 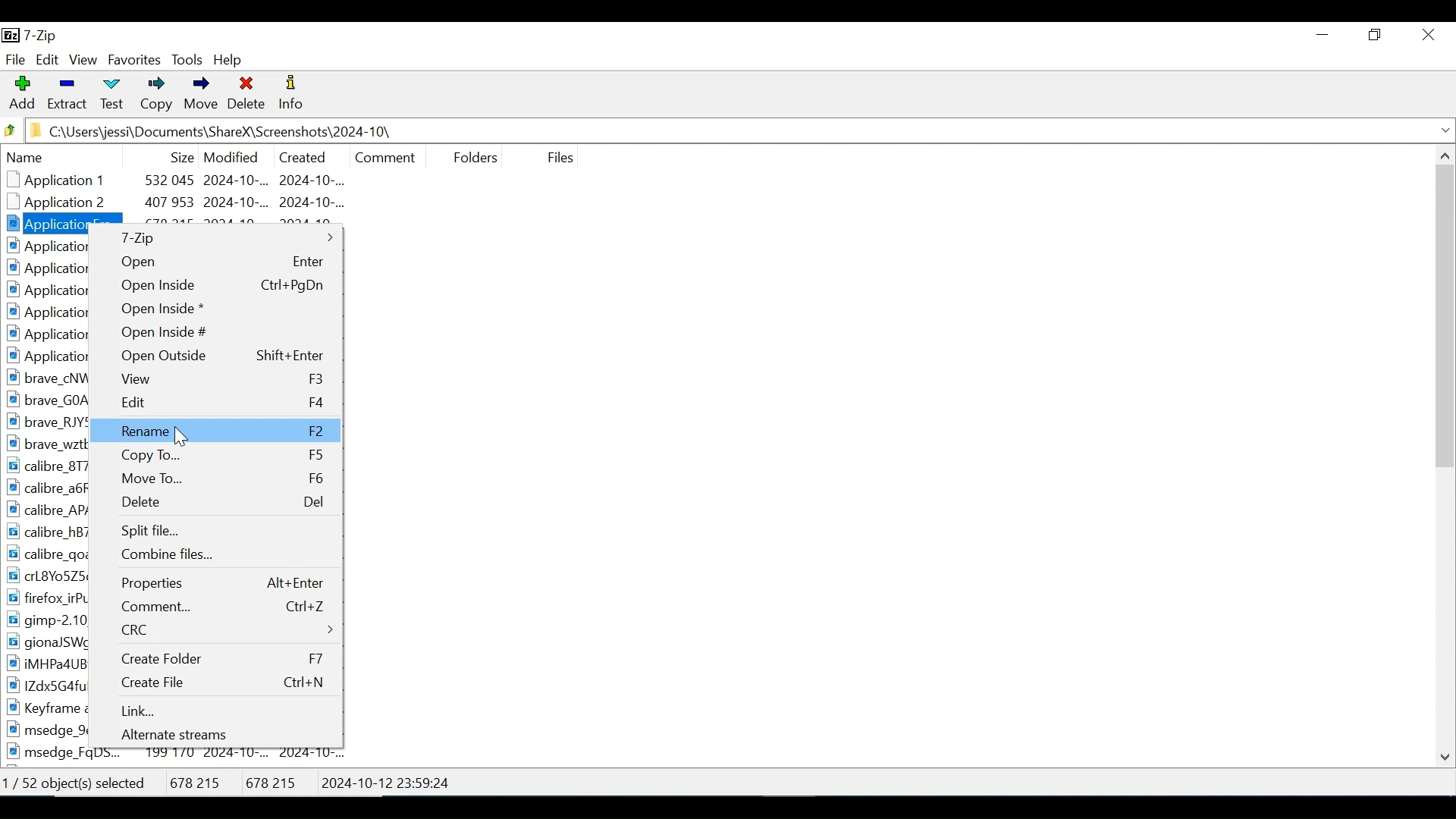 What do you see at coordinates (1323, 34) in the screenshot?
I see `Minimize` at bounding box center [1323, 34].